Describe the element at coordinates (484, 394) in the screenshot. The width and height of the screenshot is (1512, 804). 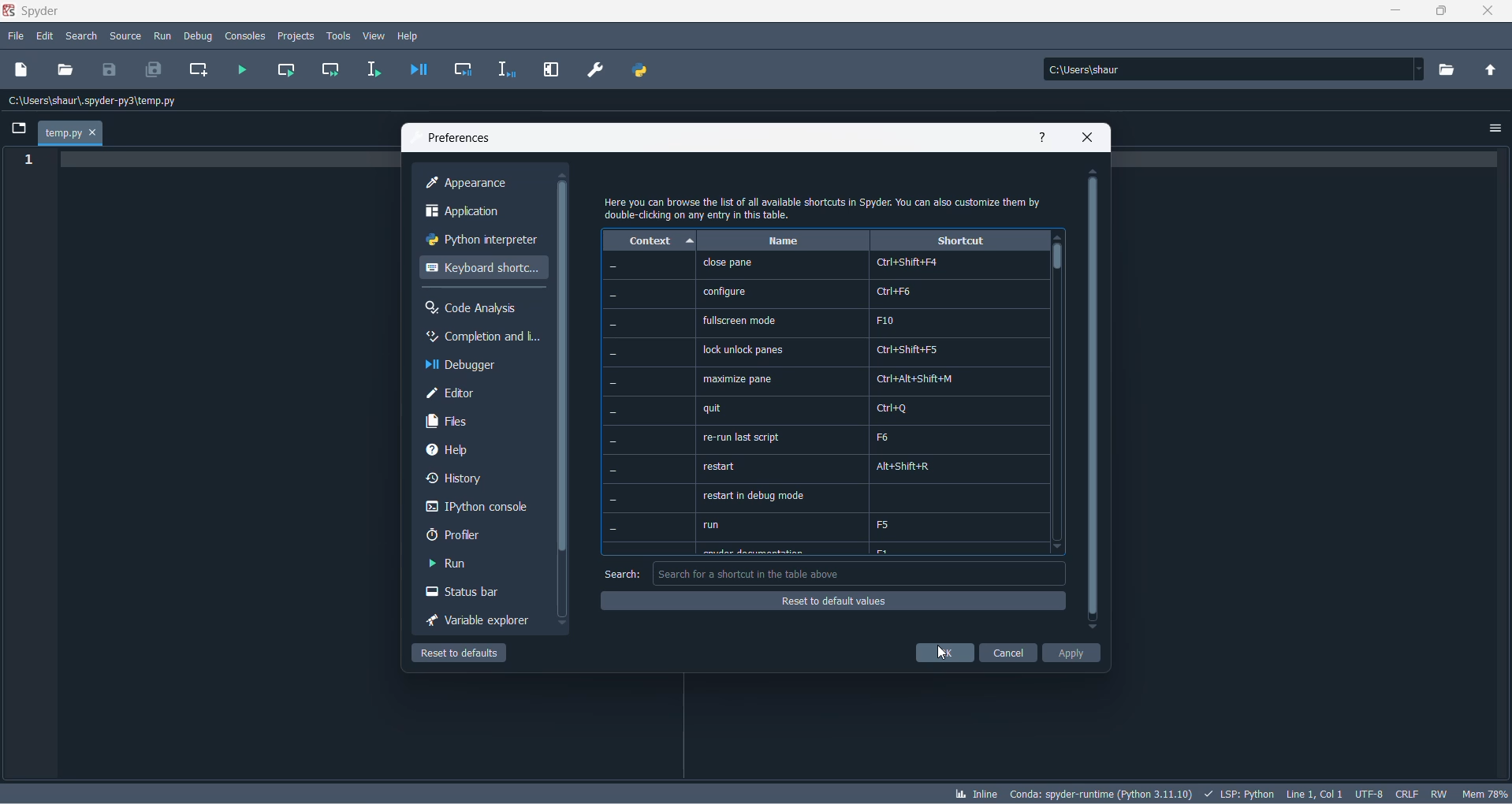
I see `editor` at that location.